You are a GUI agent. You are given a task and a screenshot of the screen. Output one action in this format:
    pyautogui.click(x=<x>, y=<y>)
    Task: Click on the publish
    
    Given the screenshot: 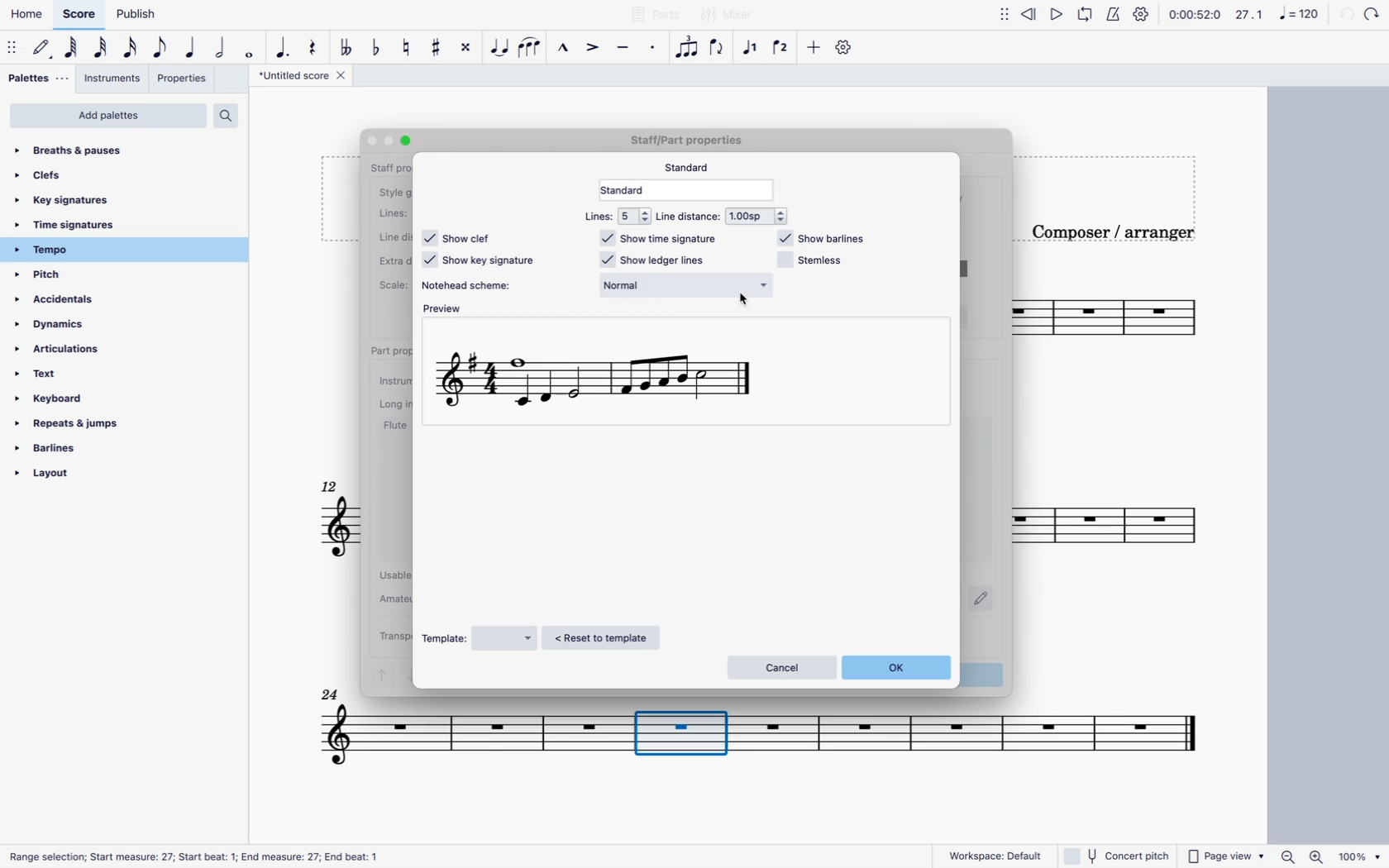 What is the action you would take?
    pyautogui.click(x=135, y=16)
    